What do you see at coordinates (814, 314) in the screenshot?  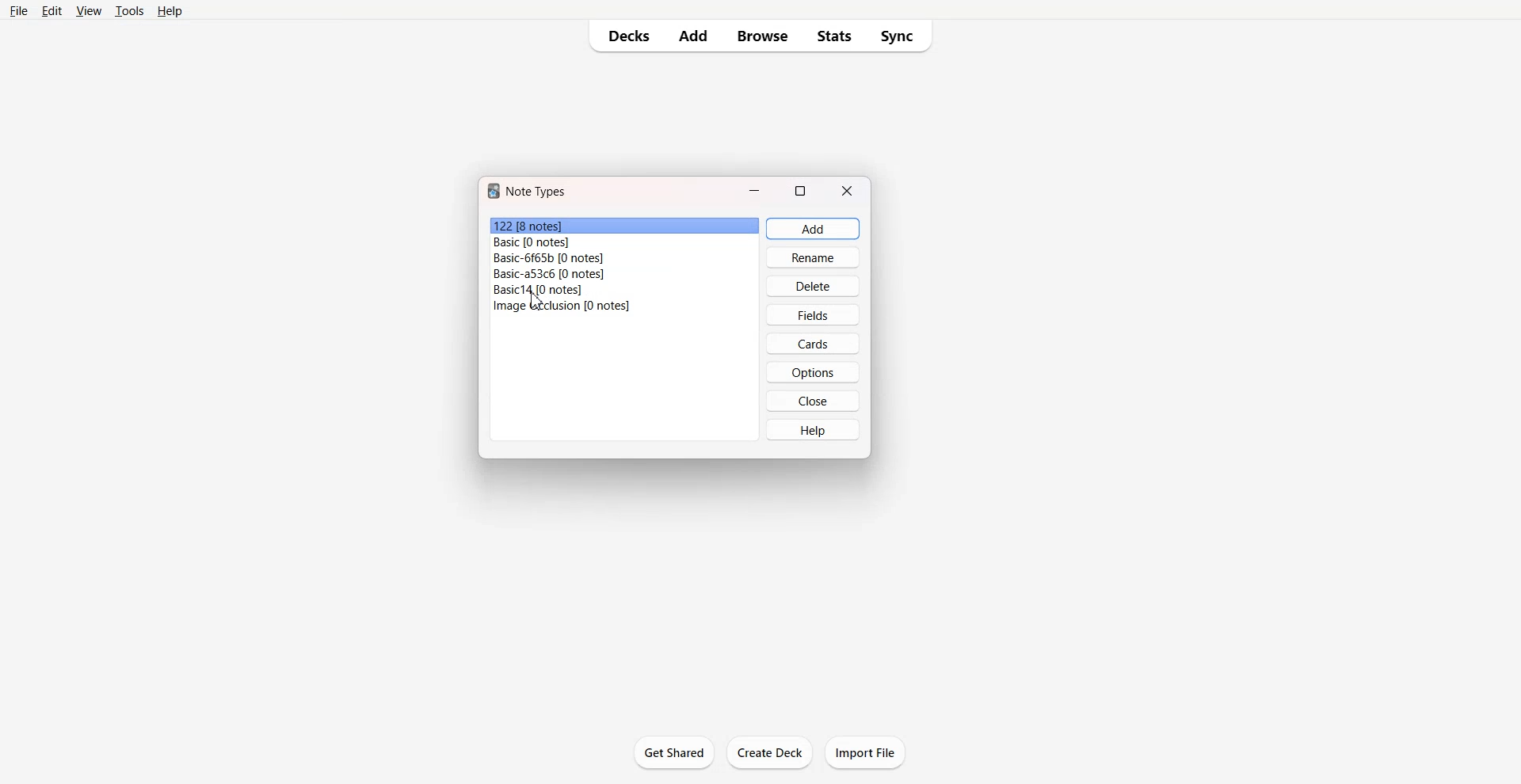 I see `Fields` at bounding box center [814, 314].